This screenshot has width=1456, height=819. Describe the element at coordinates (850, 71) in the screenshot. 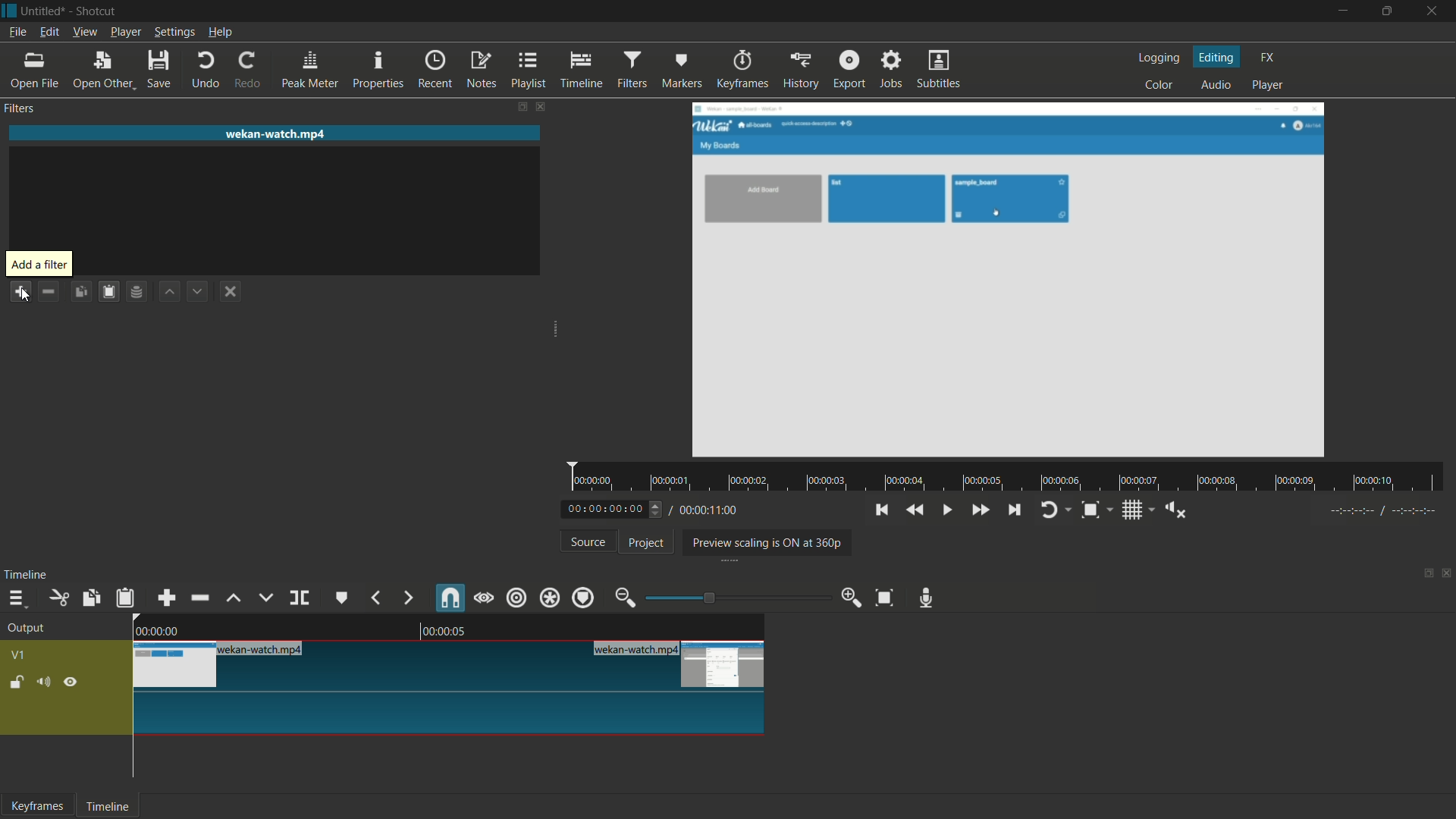

I see `export` at that location.